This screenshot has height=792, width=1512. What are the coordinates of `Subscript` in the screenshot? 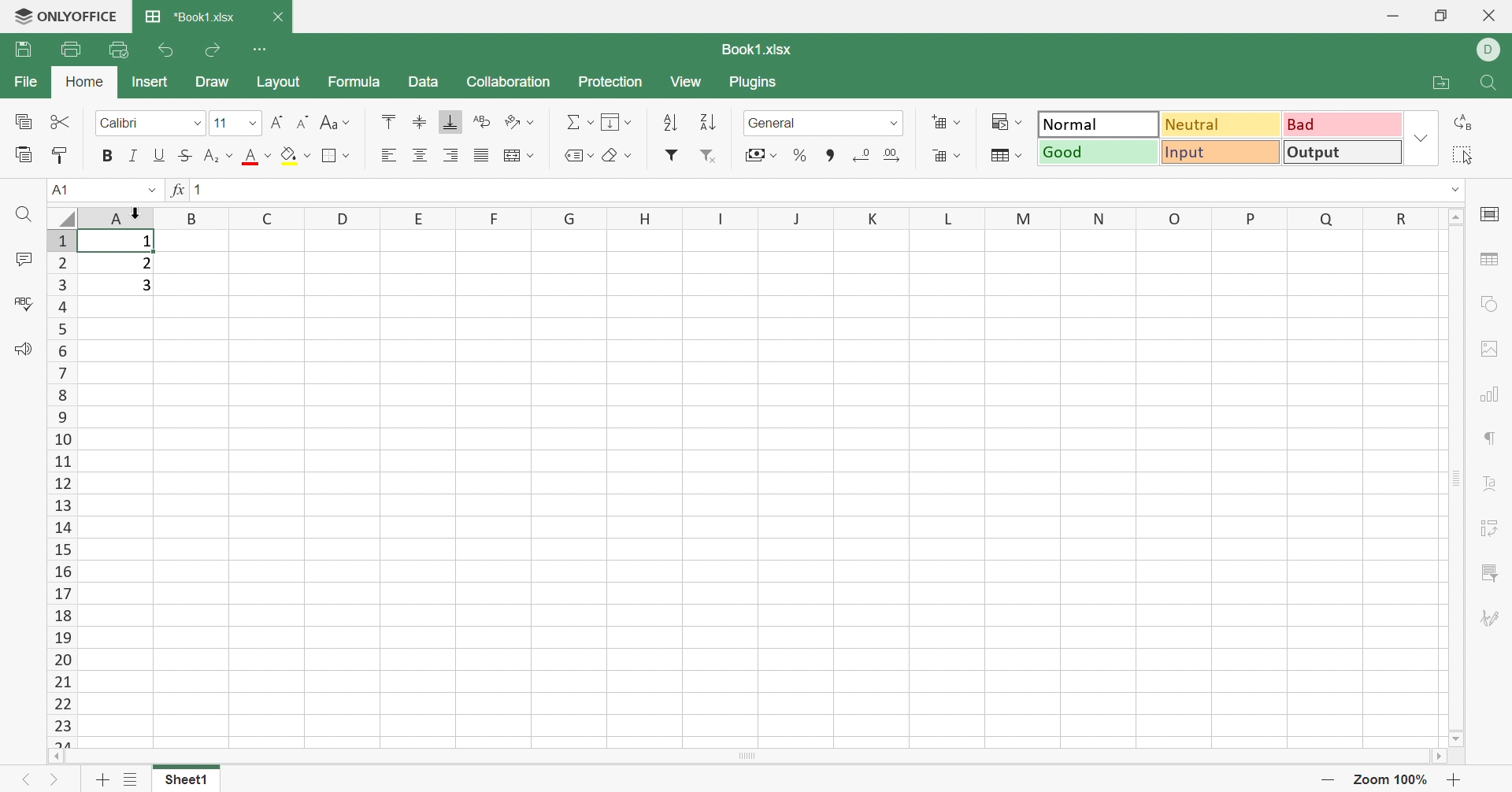 It's located at (217, 156).